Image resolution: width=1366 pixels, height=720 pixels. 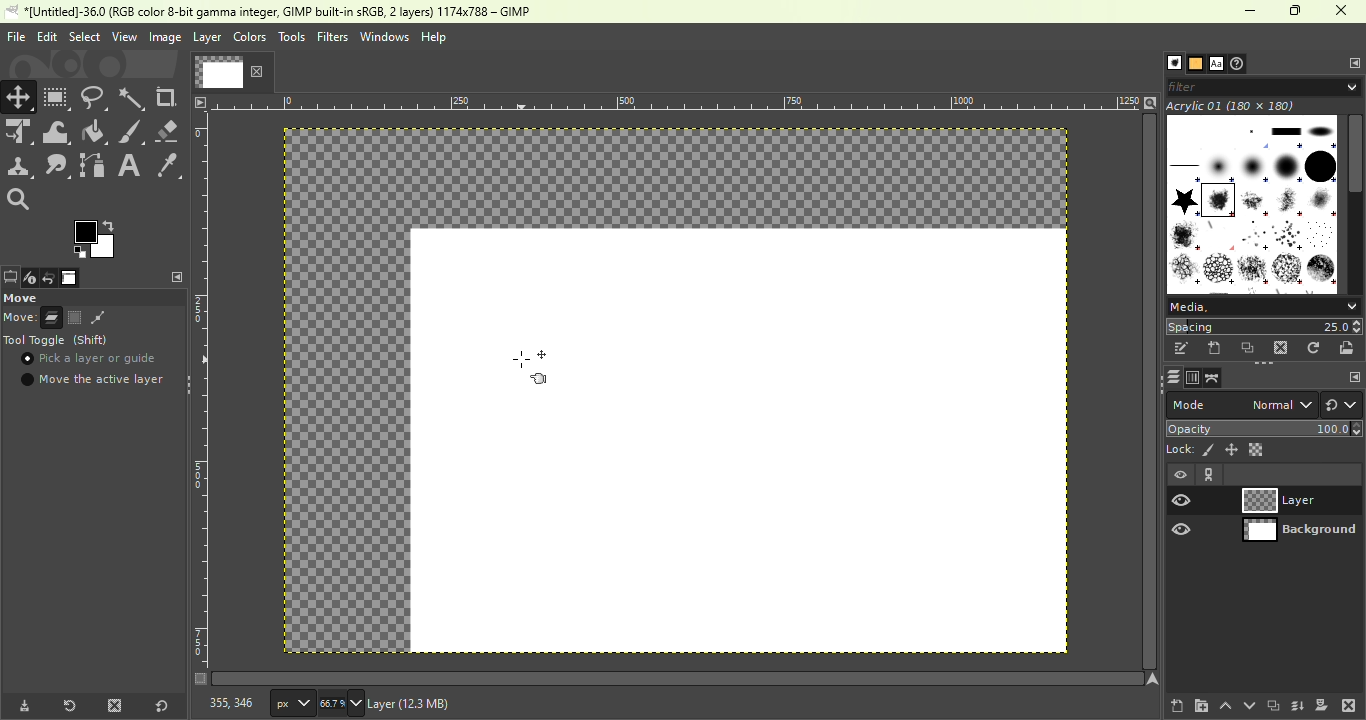 I want to click on Colors, so click(x=250, y=36).